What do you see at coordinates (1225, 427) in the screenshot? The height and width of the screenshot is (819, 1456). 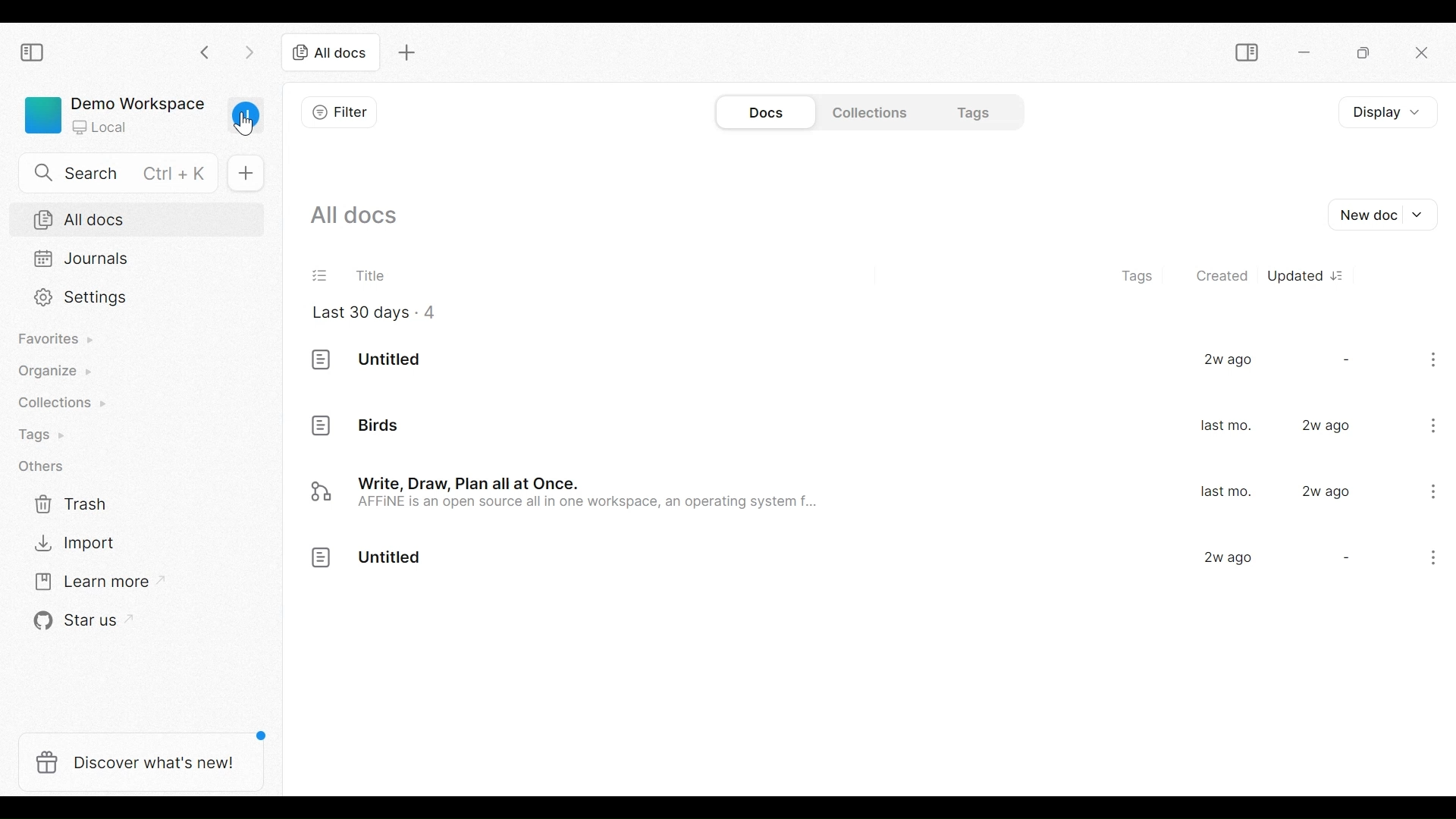 I see `last mo.` at bounding box center [1225, 427].